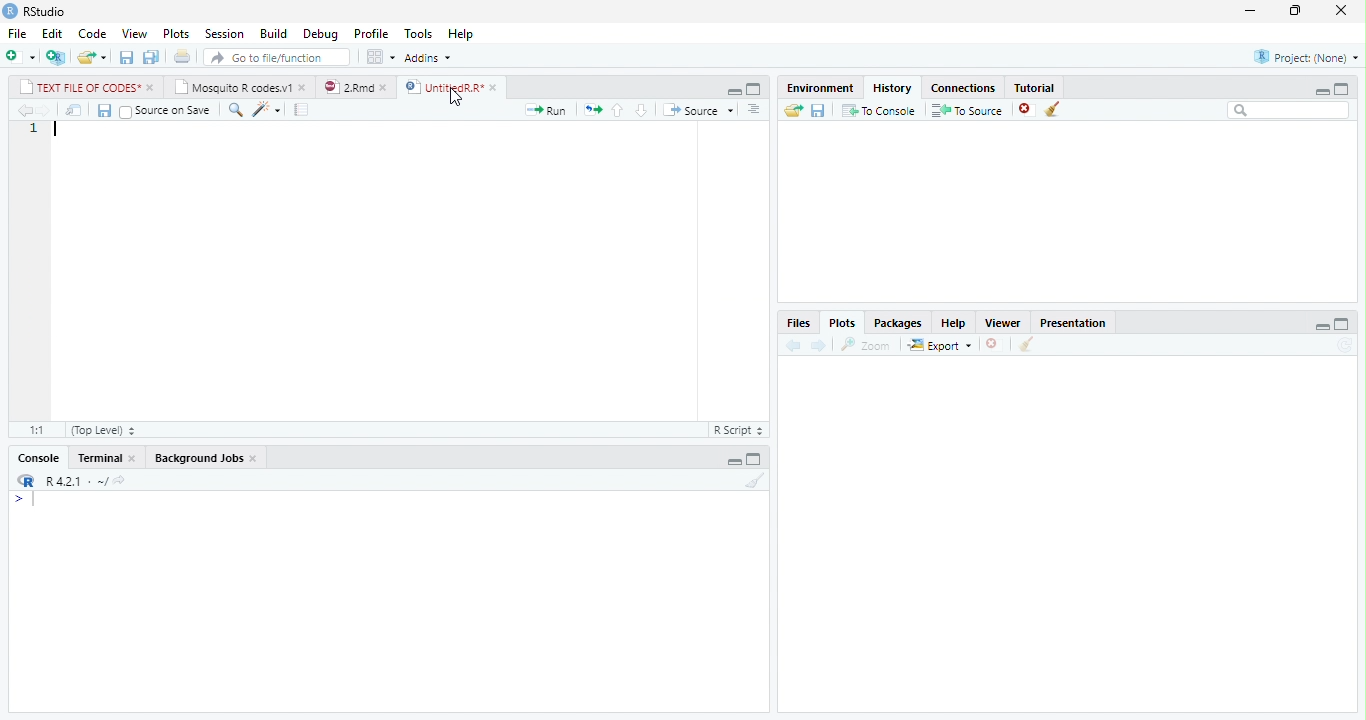 The image size is (1366, 720). I want to click on Packages, so click(895, 324).